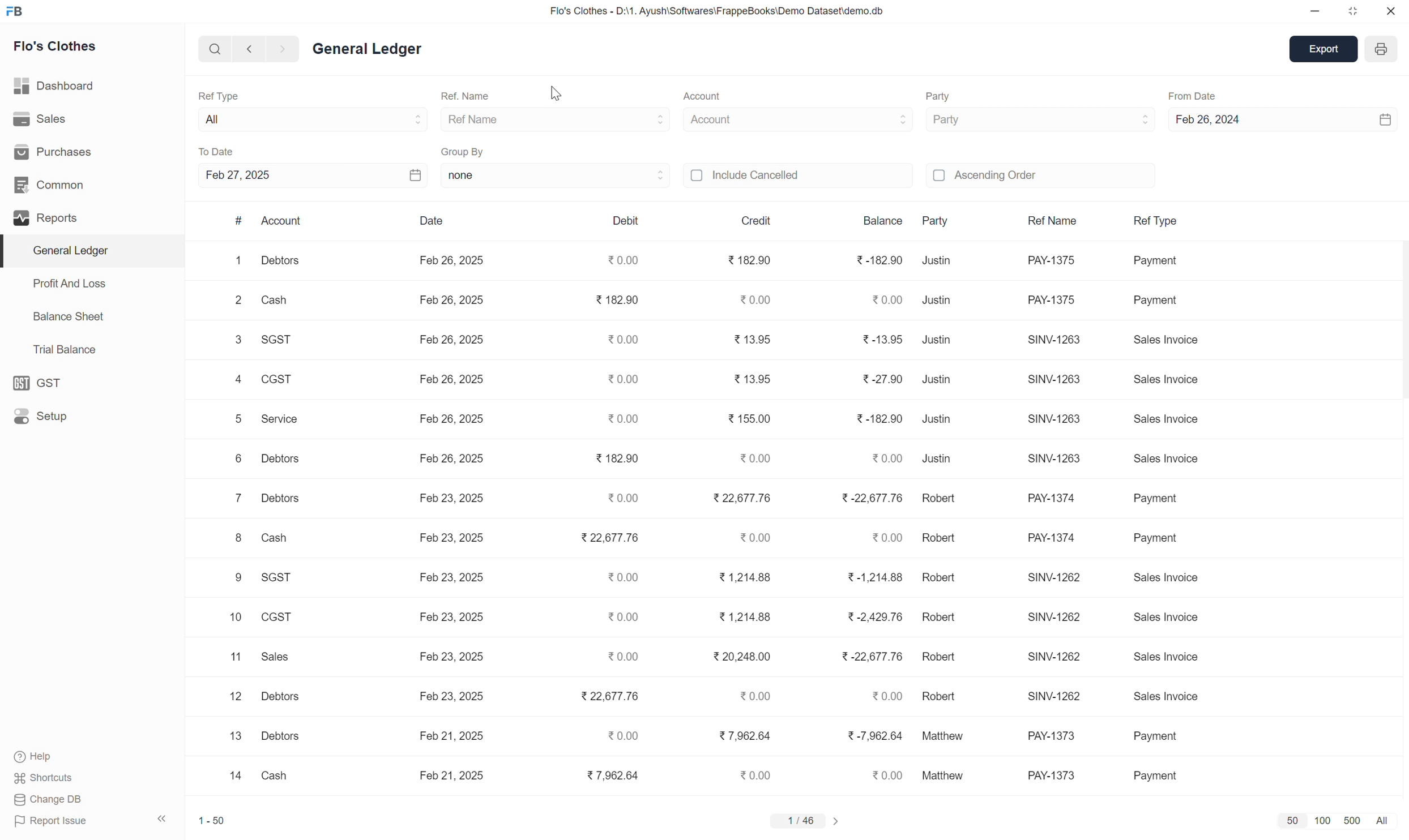 This screenshot has width=1409, height=840. I want to click on 1/46, so click(806, 822).